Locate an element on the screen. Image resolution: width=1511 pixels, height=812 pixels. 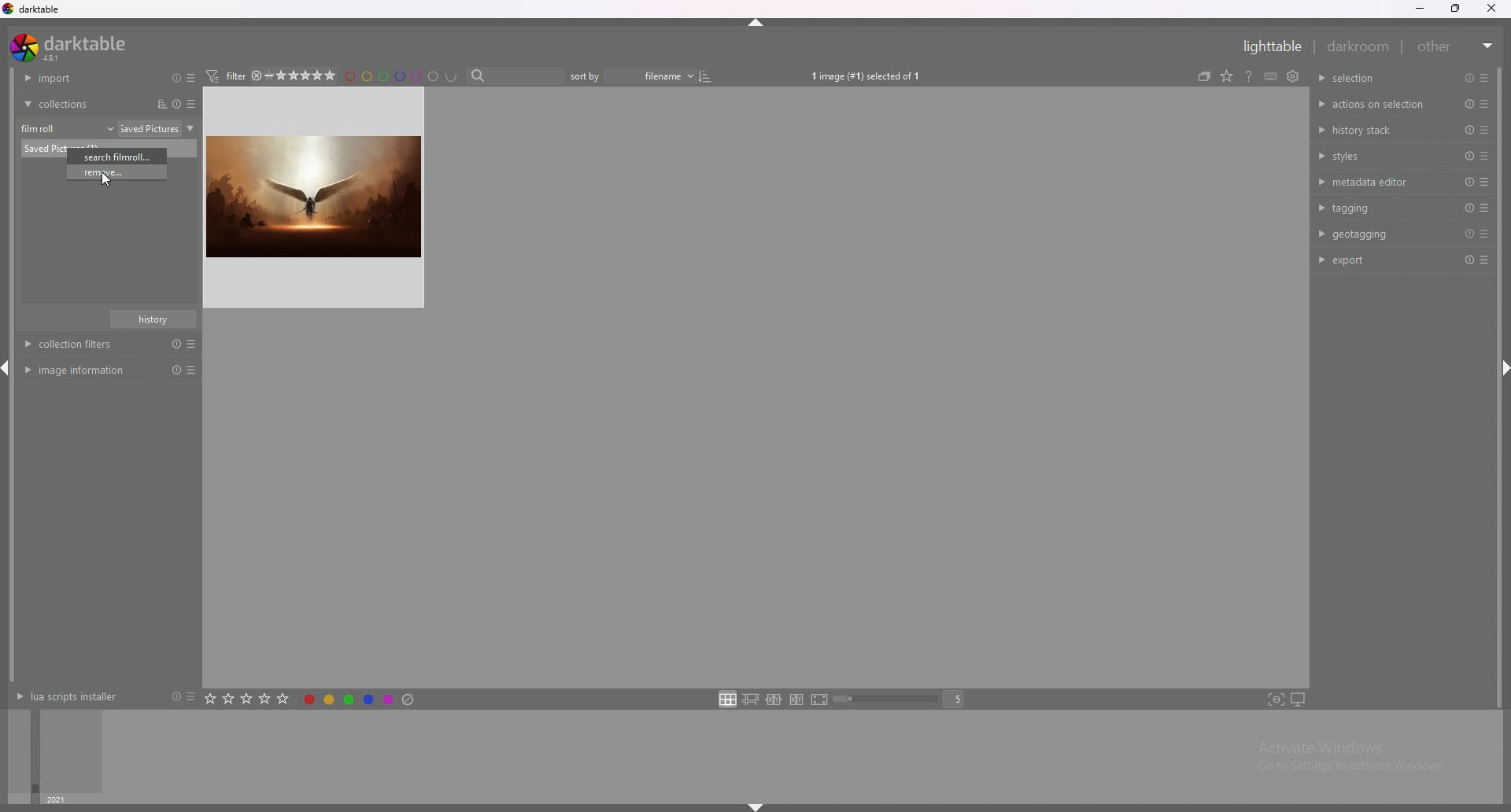
reset is located at coordinates (1467, 183).